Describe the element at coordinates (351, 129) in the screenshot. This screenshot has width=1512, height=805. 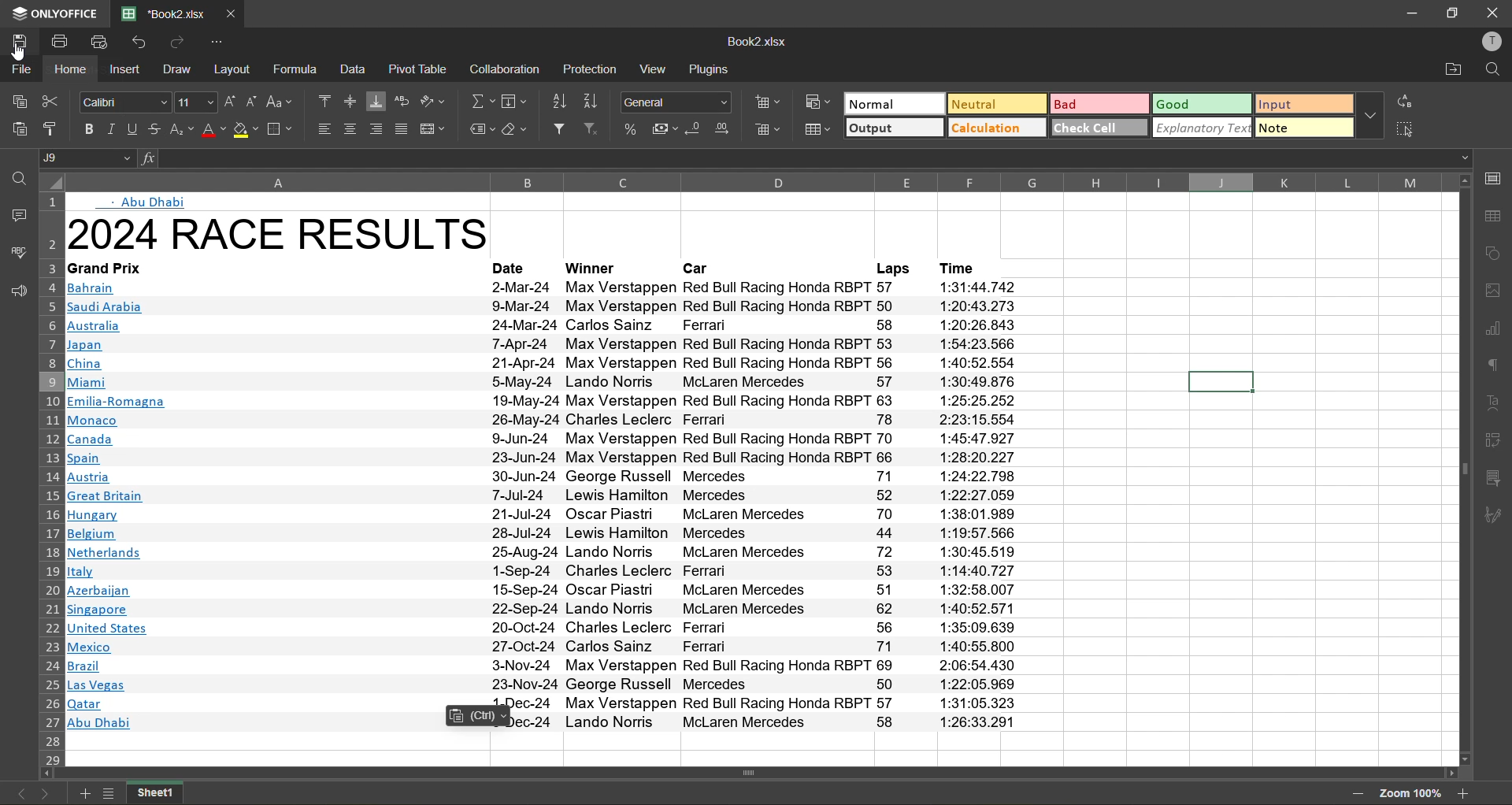
I see `align center` at that location.